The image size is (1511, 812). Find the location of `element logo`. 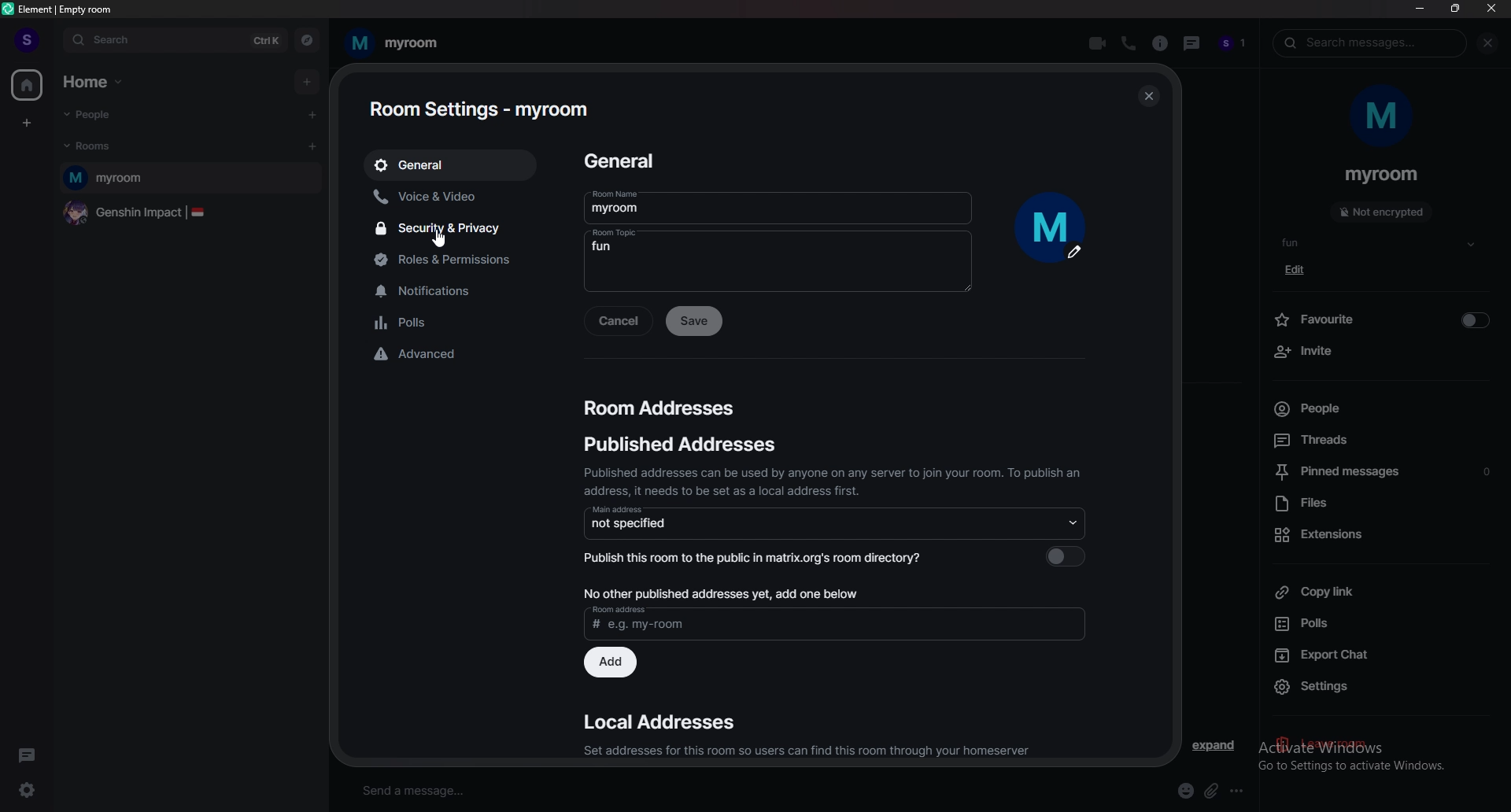

element logo is located at coordinates (9, 9).